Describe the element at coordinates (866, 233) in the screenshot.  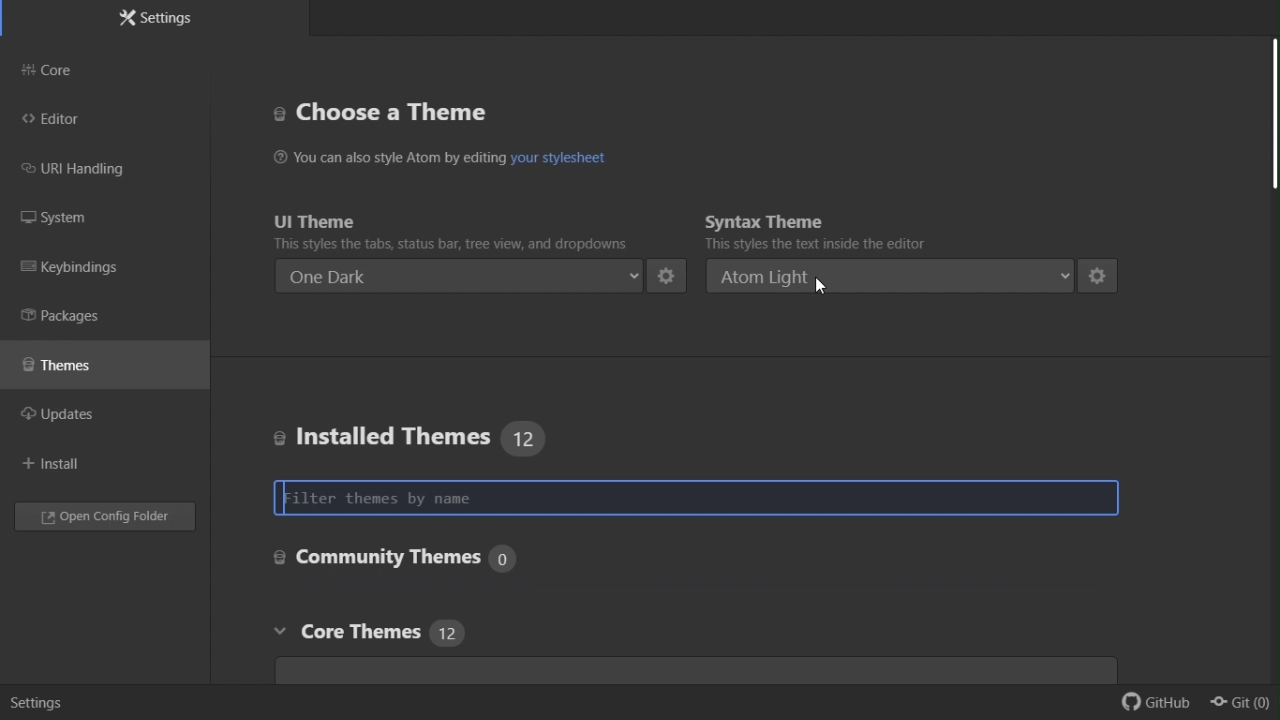
I see `Syntax theme` at that location.